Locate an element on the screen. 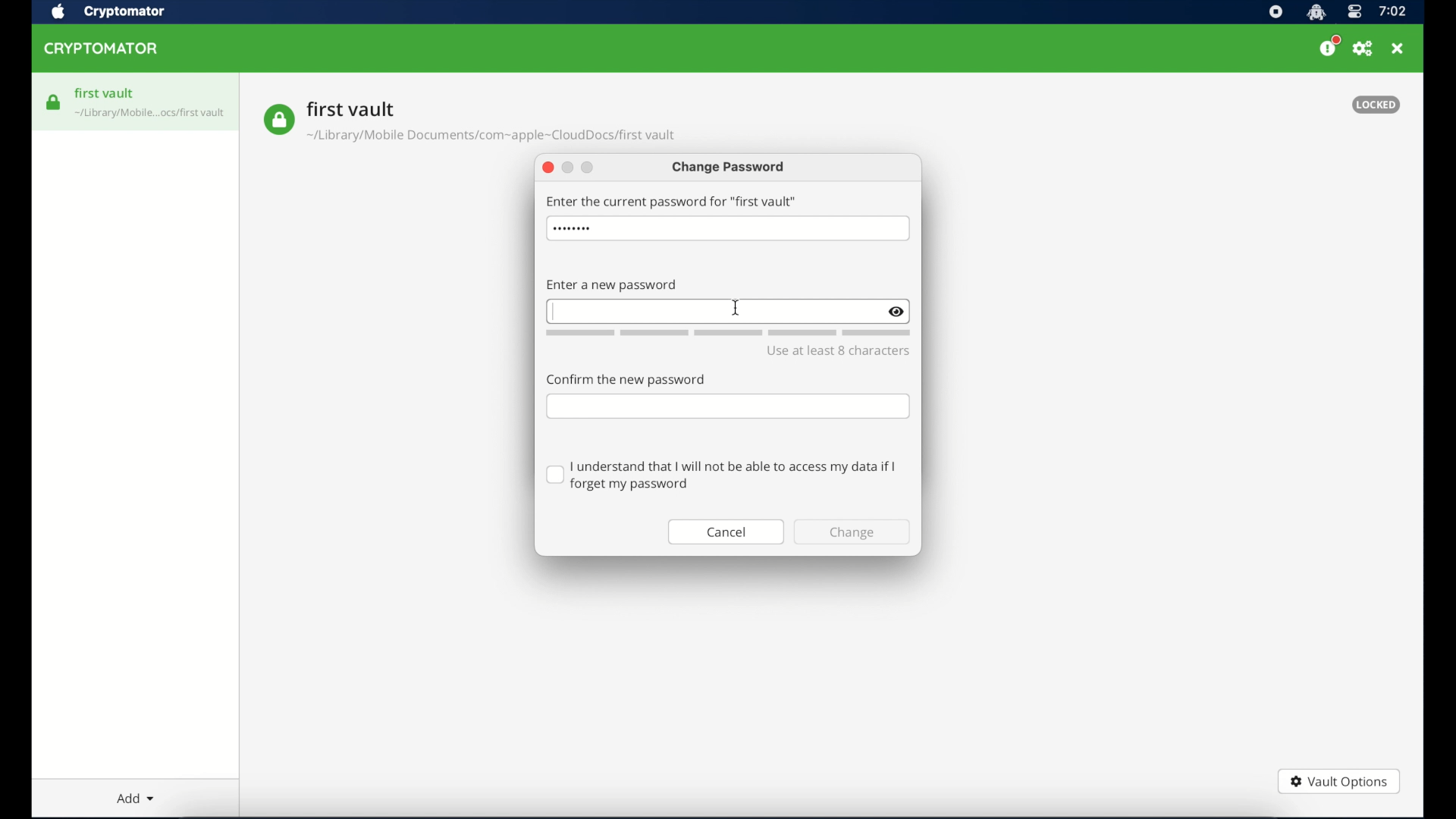 The width and height of the screenshot is (1456, 819). hidden password is located at coordinates (572, 229).